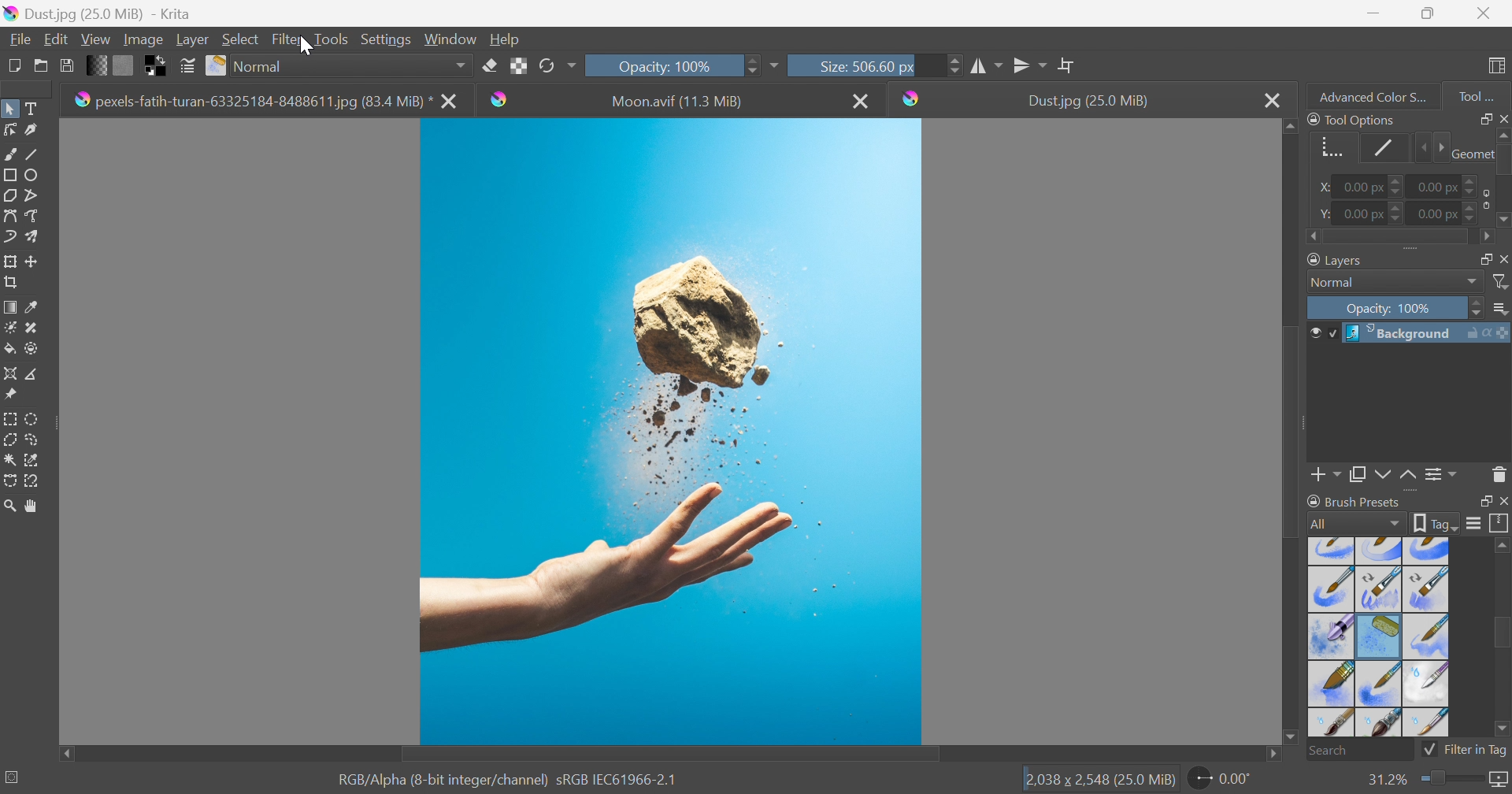  What do you see at coordinates (35, 109) in the screenshot?
I see `Text tool` at bounding box center [35, 109].